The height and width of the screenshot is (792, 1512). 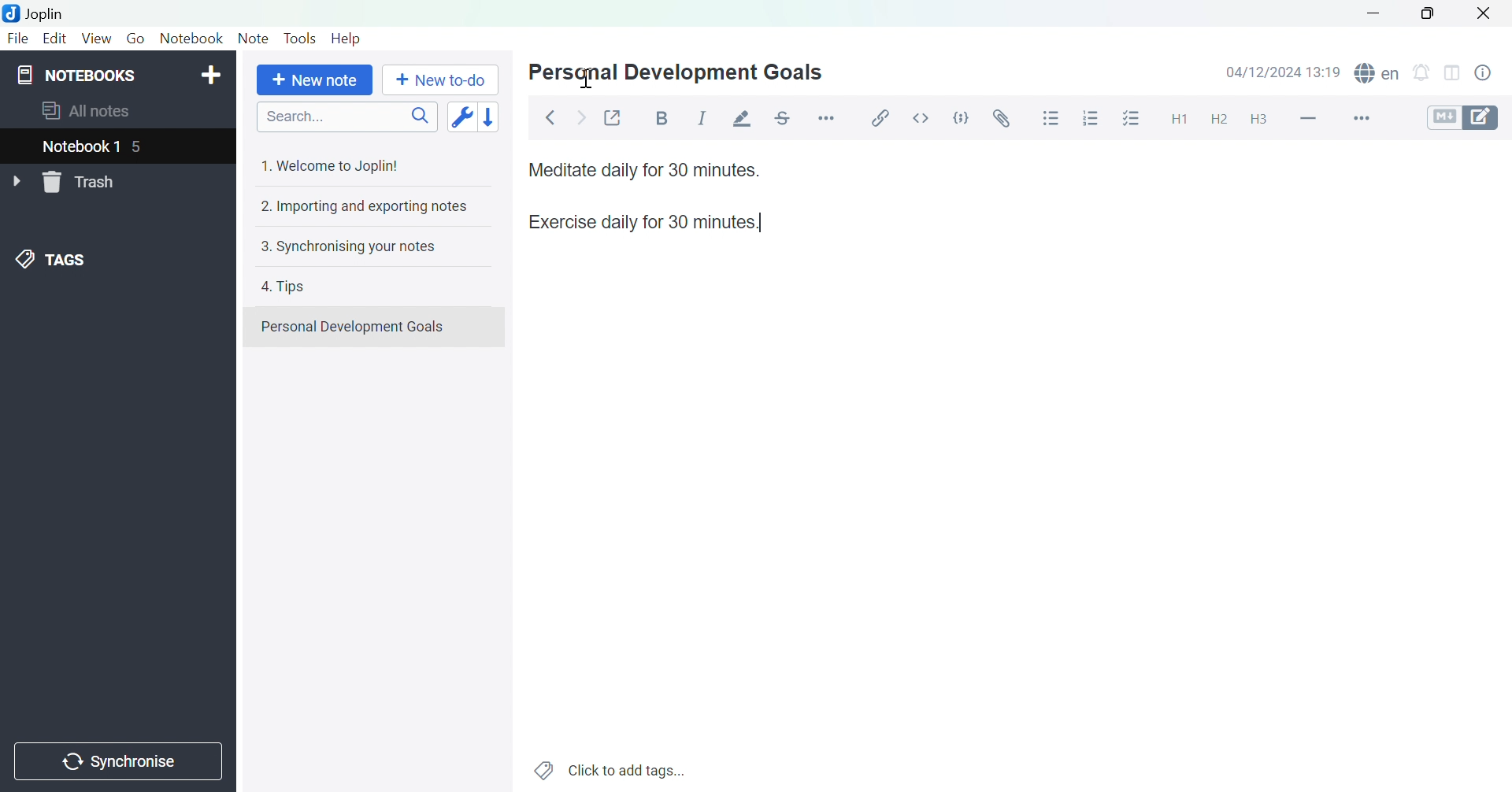 I want to click on Insert / edit link, so click(x=884, y=119).